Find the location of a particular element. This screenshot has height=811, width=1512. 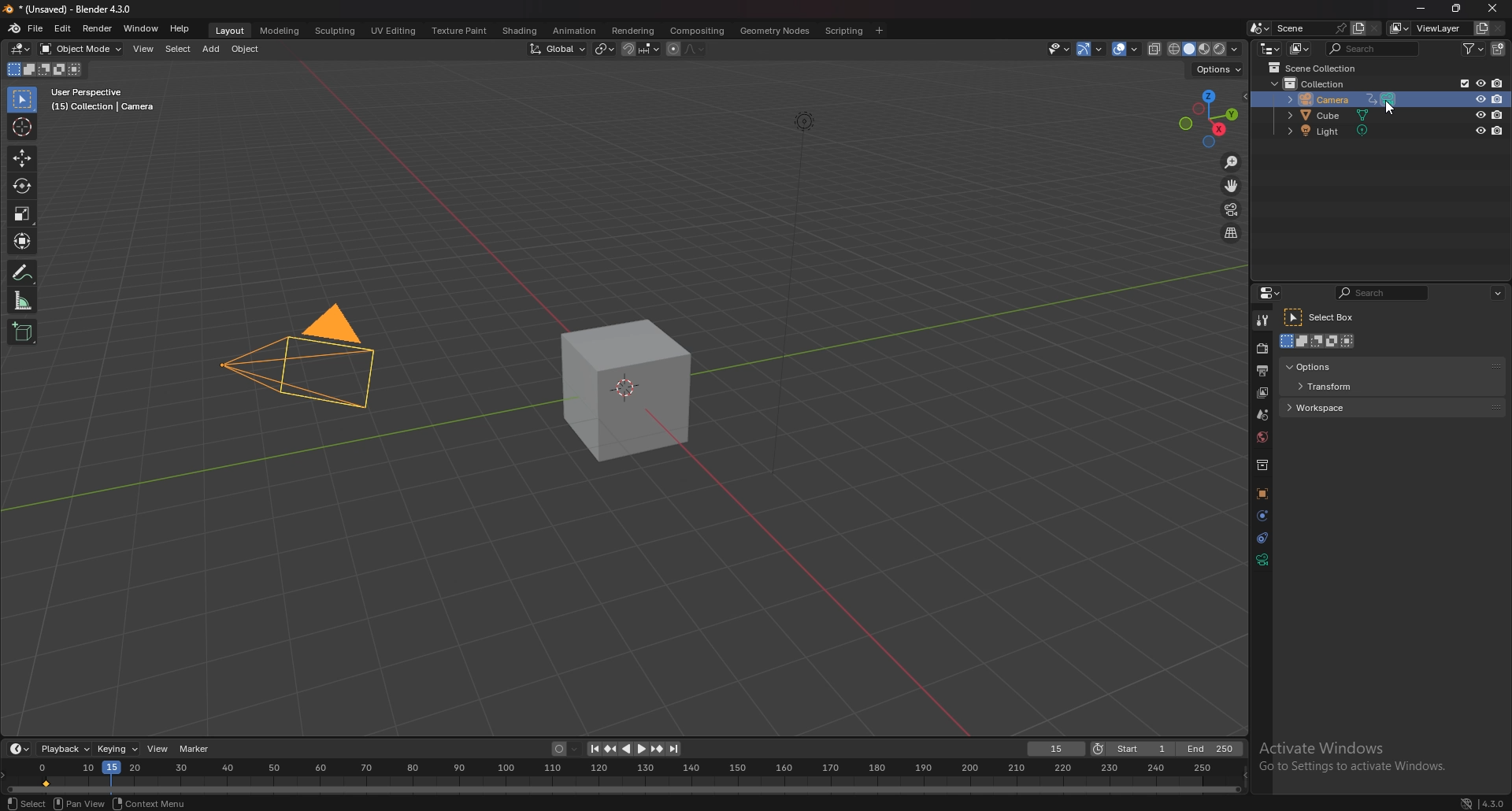

jump to endpoint is located at coordinates (675, 749).